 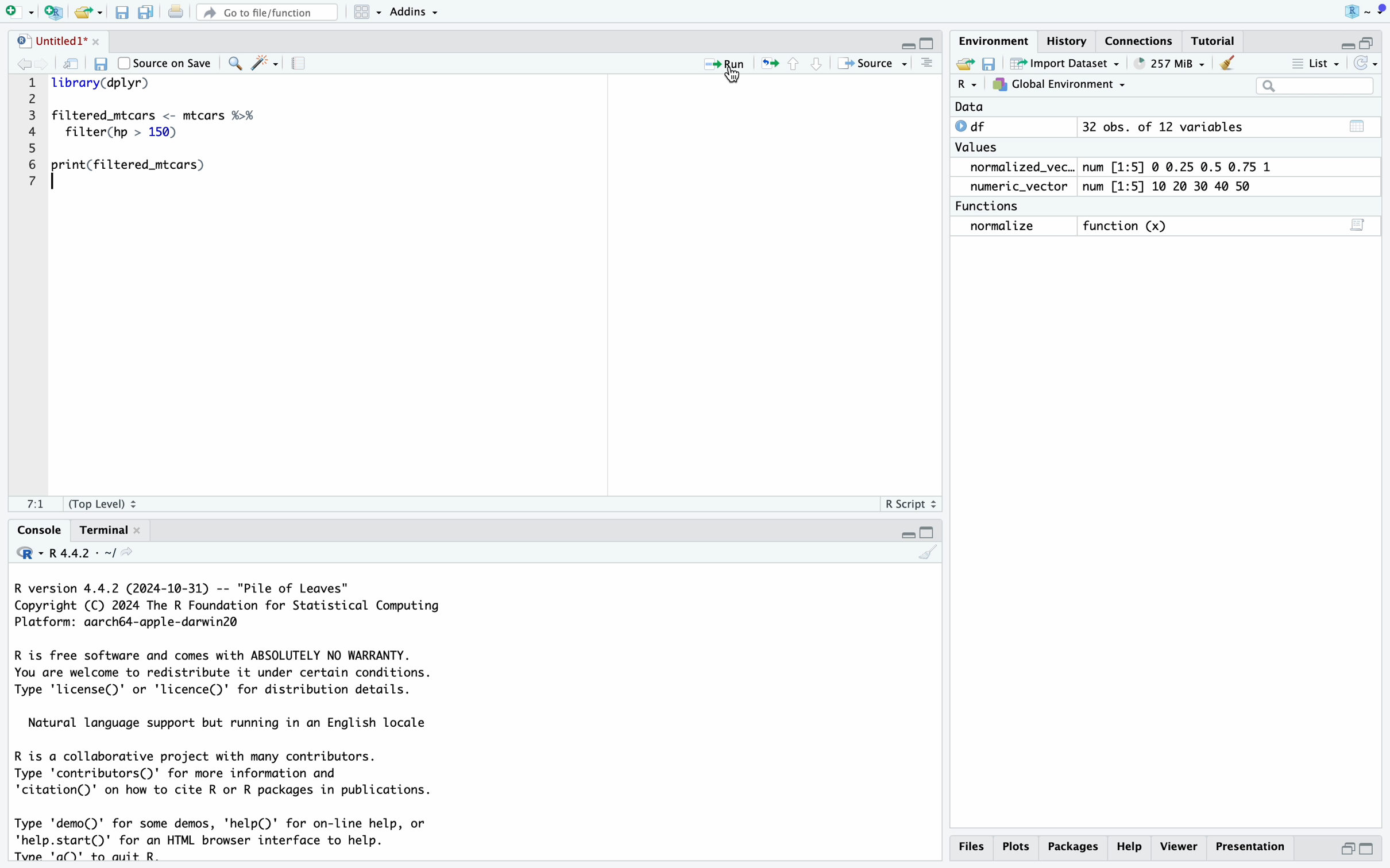 I want to click on 229MiB, so click(x=1167, y=63).